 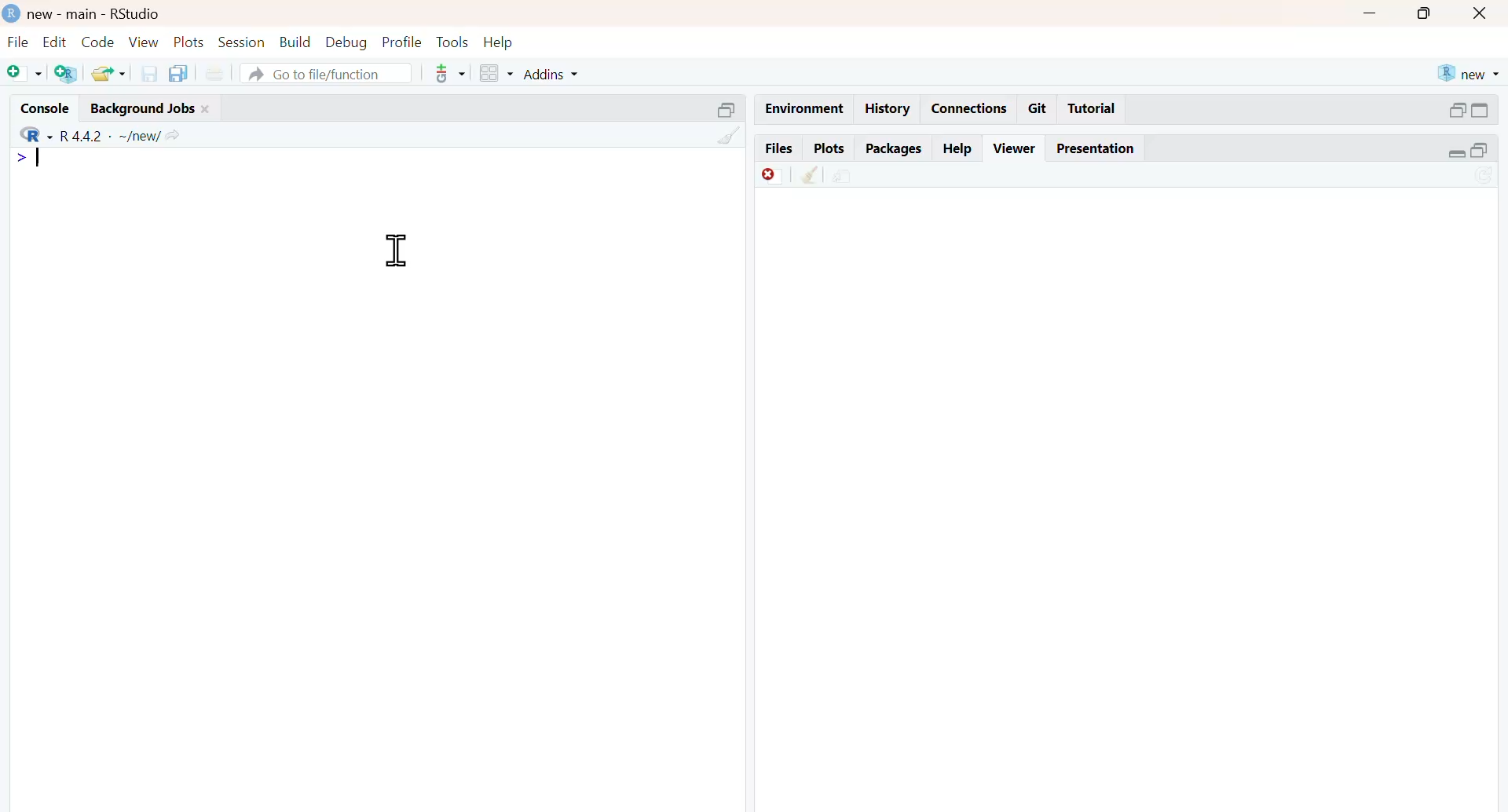 I want to click on new - main - RStudio, so click(x=96, y=16).